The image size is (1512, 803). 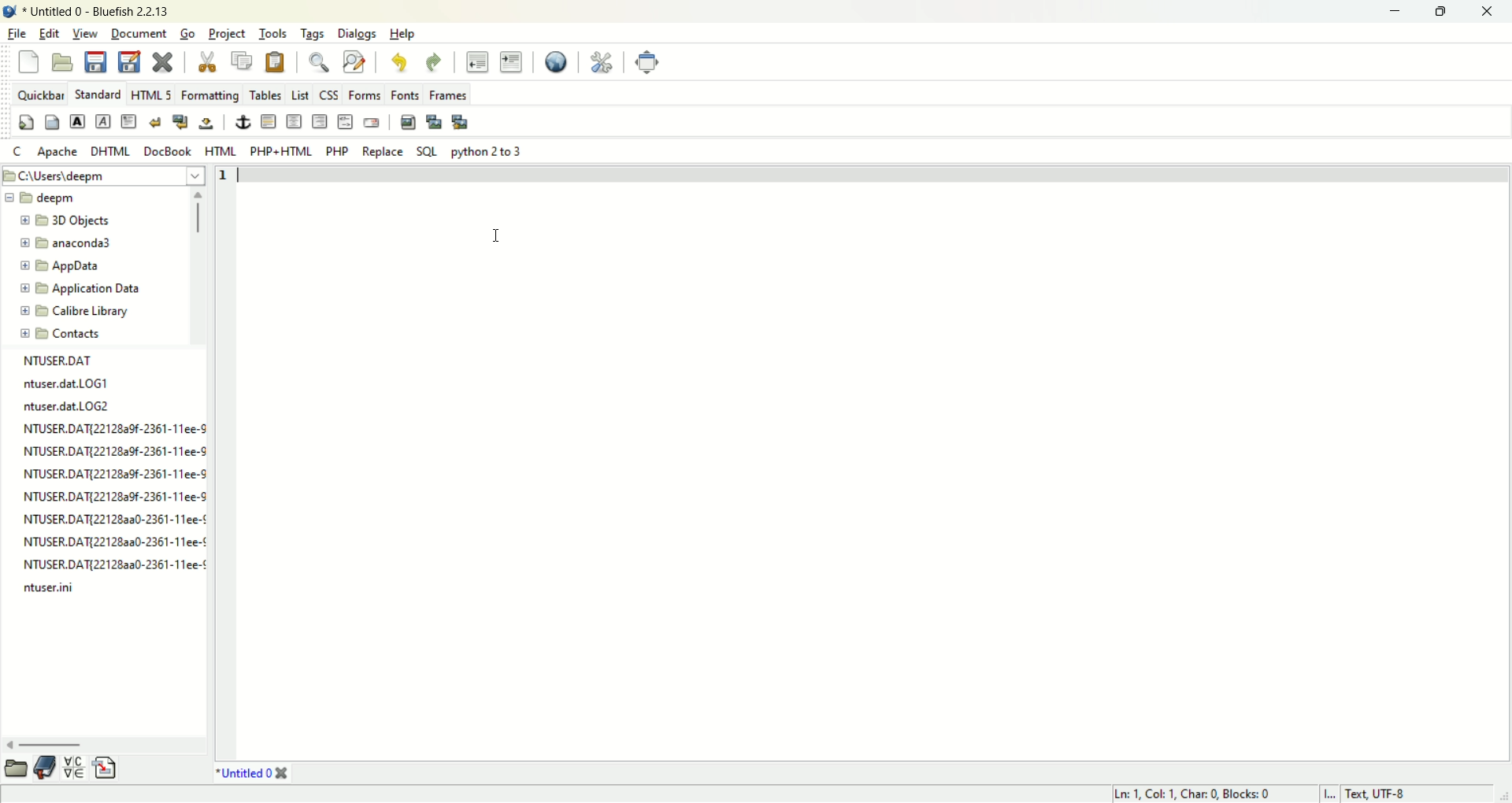 What do you see at coordinates (513, 61) in the screenshot?
I see `indent` at bounding box center [513, 61].